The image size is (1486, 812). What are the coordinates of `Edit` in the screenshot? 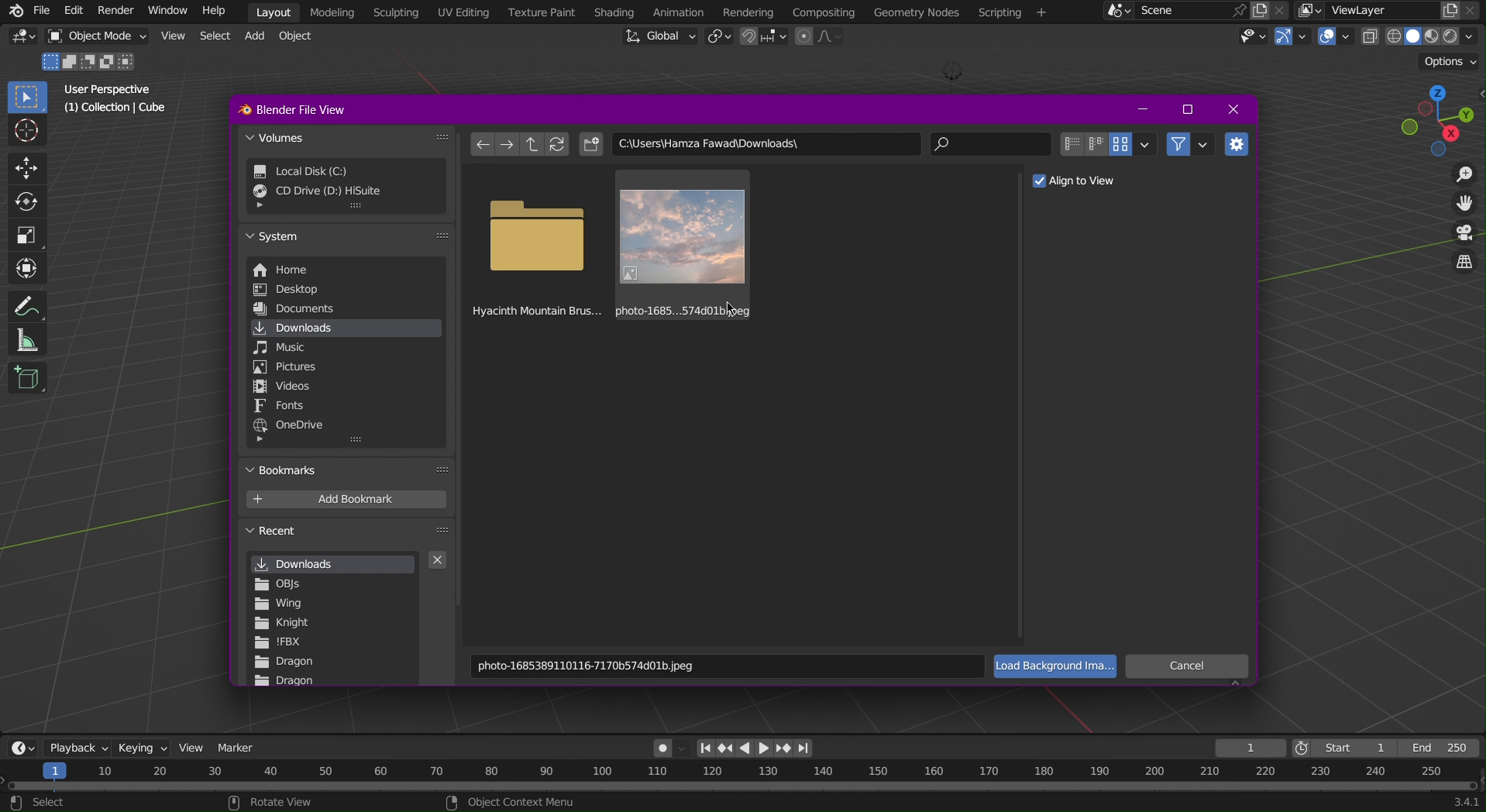 It's located at (74, 10).